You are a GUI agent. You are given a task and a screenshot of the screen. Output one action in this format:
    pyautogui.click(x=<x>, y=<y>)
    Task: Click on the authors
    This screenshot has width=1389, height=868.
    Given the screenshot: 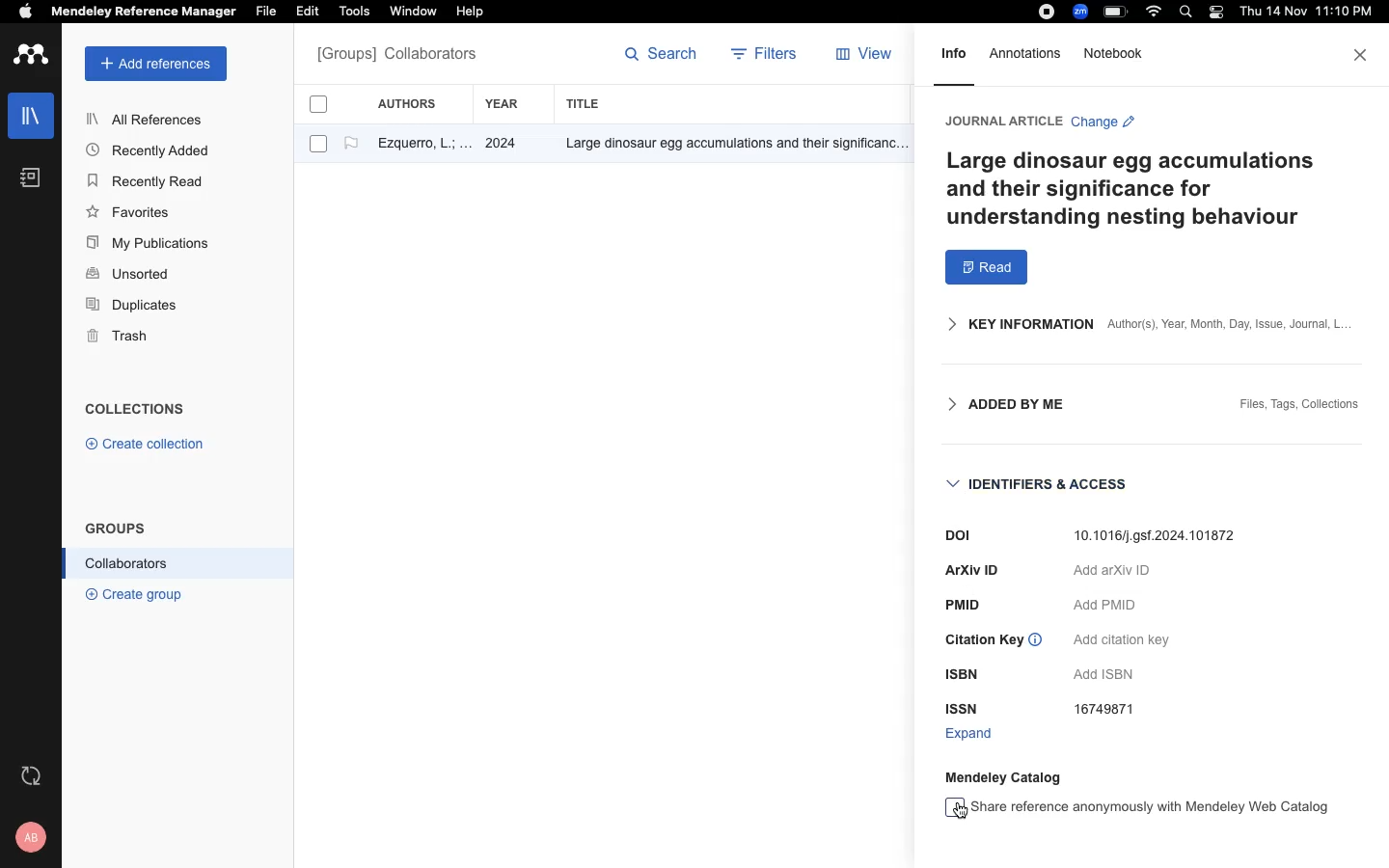 What is the action you would take?
    pyautogui.click(x=418, y=103)
    